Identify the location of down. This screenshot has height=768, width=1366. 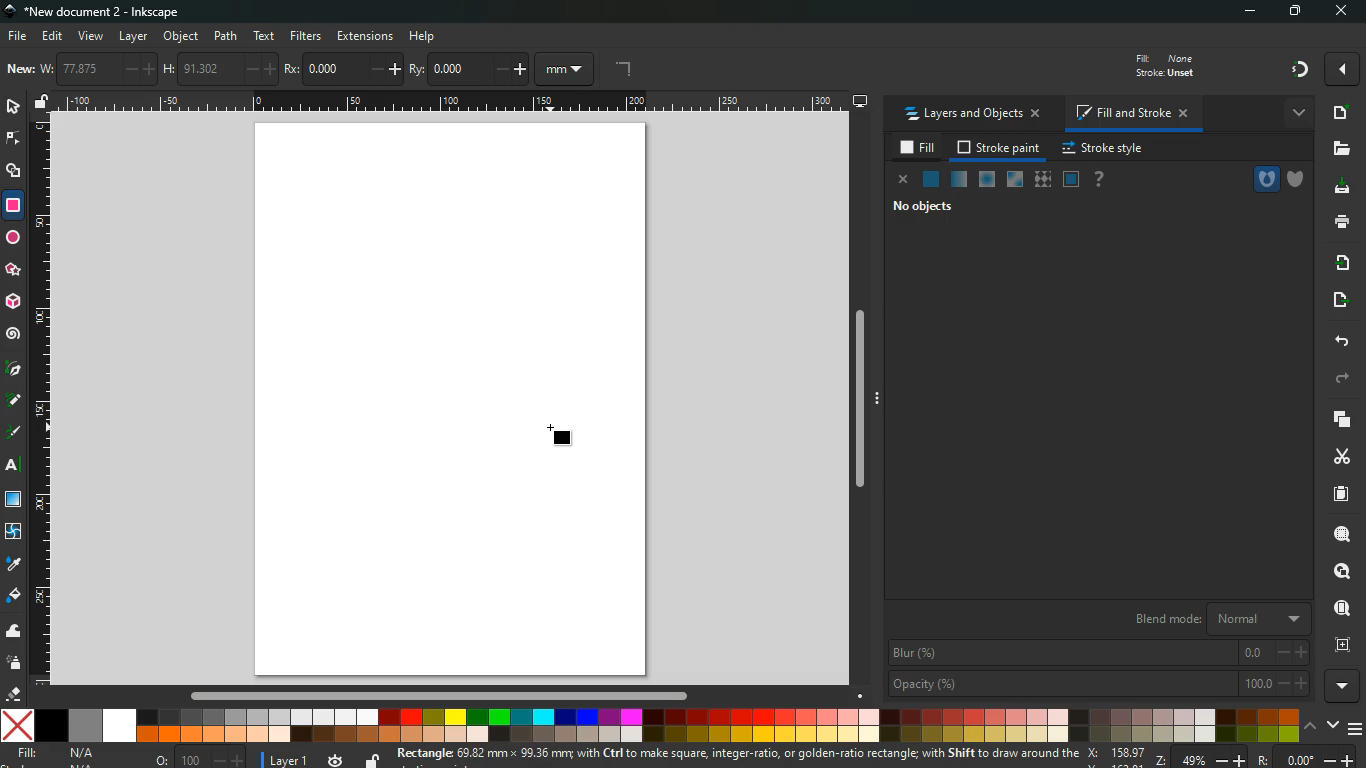
(1332, 724).